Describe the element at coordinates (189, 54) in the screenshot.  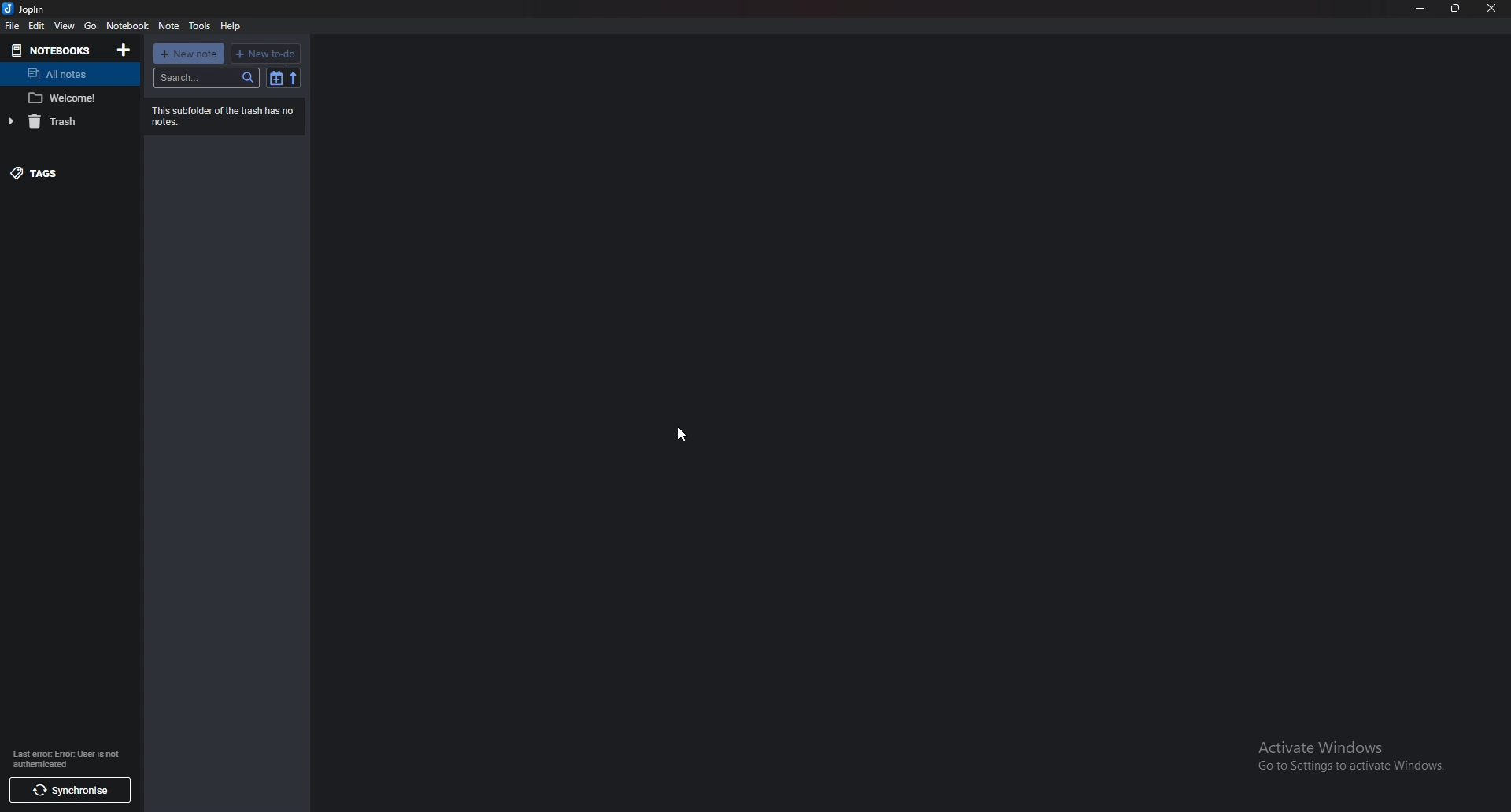
I see `New note` at that location.